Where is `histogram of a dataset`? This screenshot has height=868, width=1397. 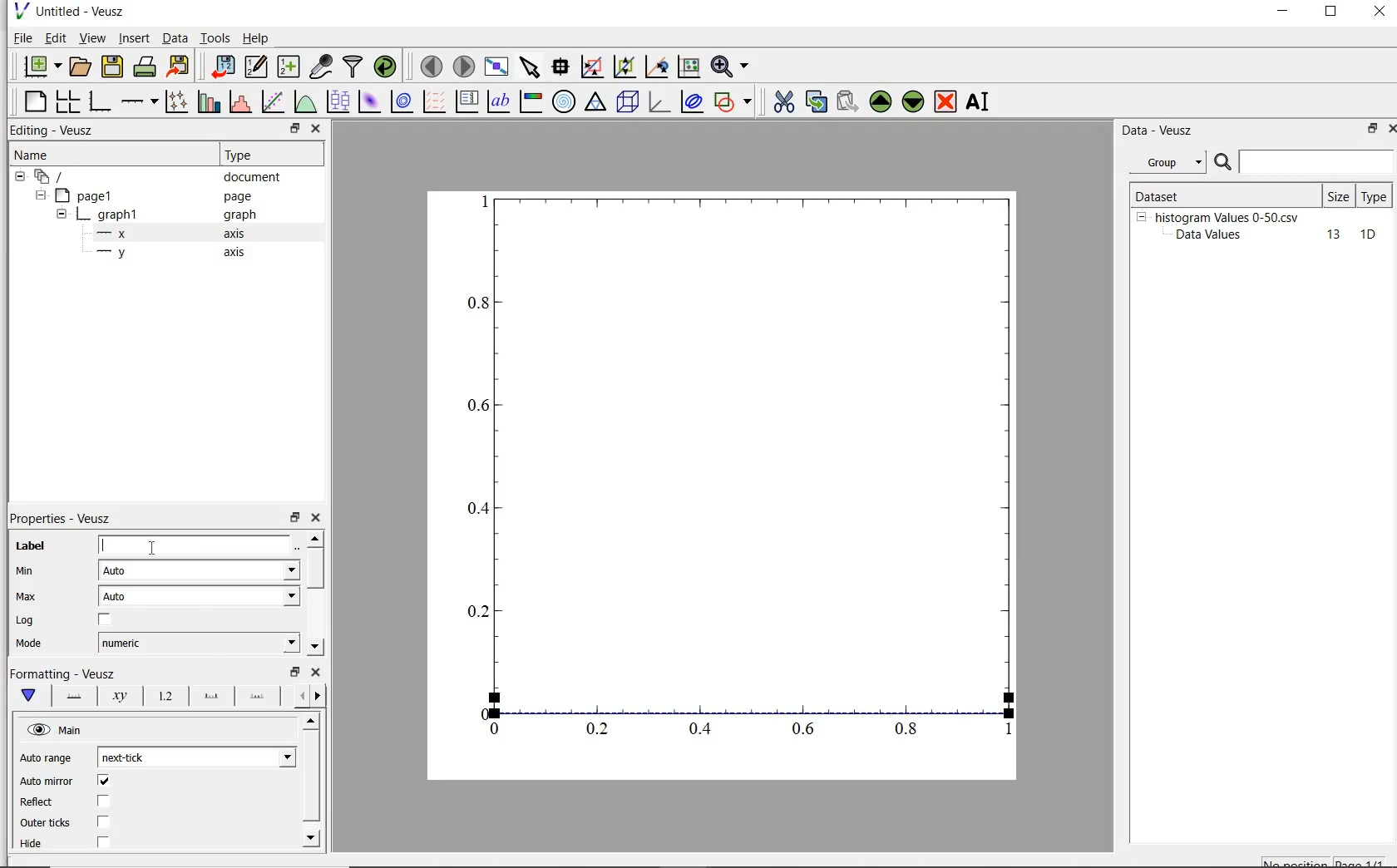 histogram of a dataset is located at coordinates (239, 102).